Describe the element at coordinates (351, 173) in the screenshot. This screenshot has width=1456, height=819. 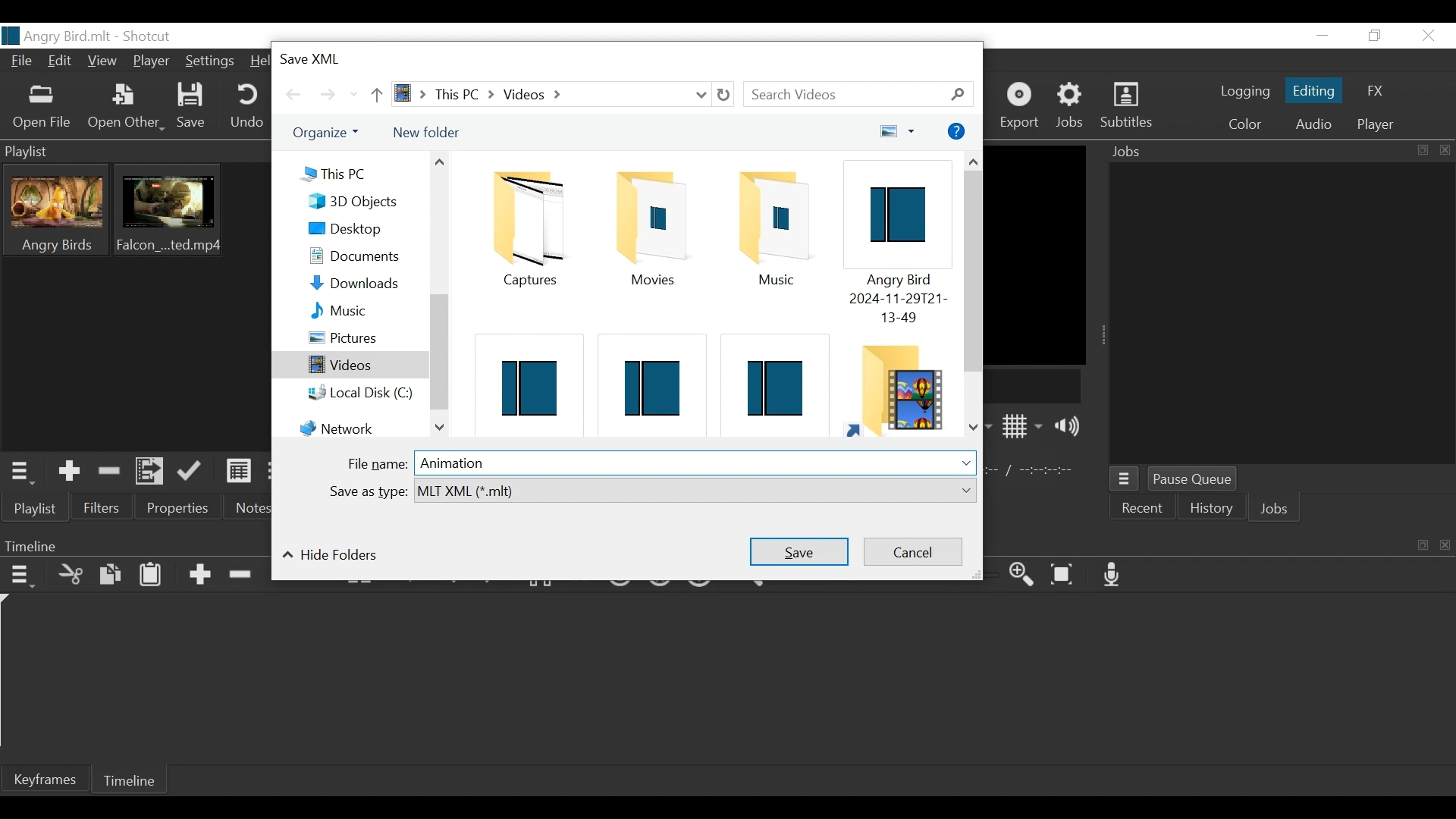
I see `This PC` at that location.